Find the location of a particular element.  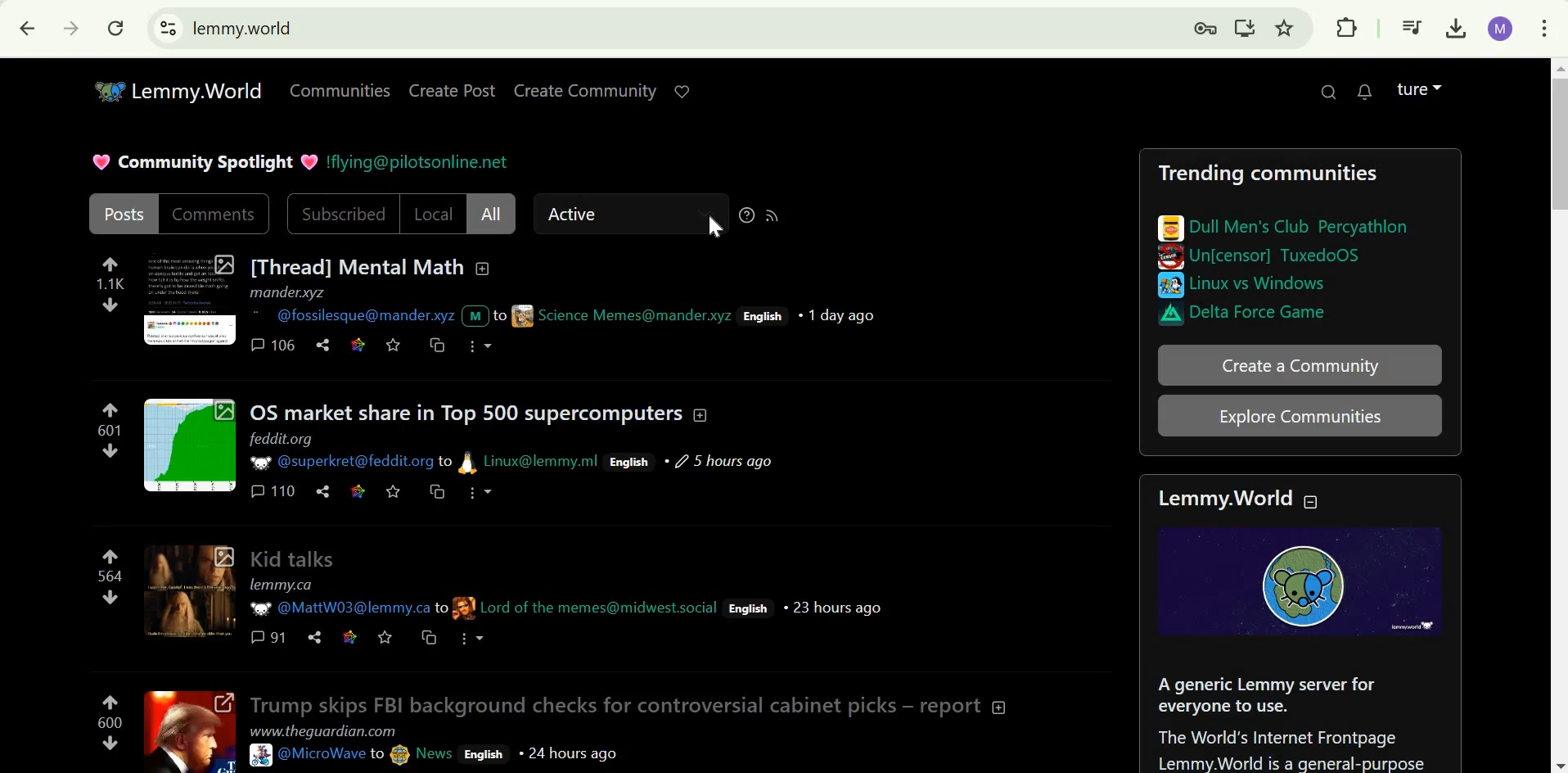

5 hours ago is located at coordinates (717, 461).